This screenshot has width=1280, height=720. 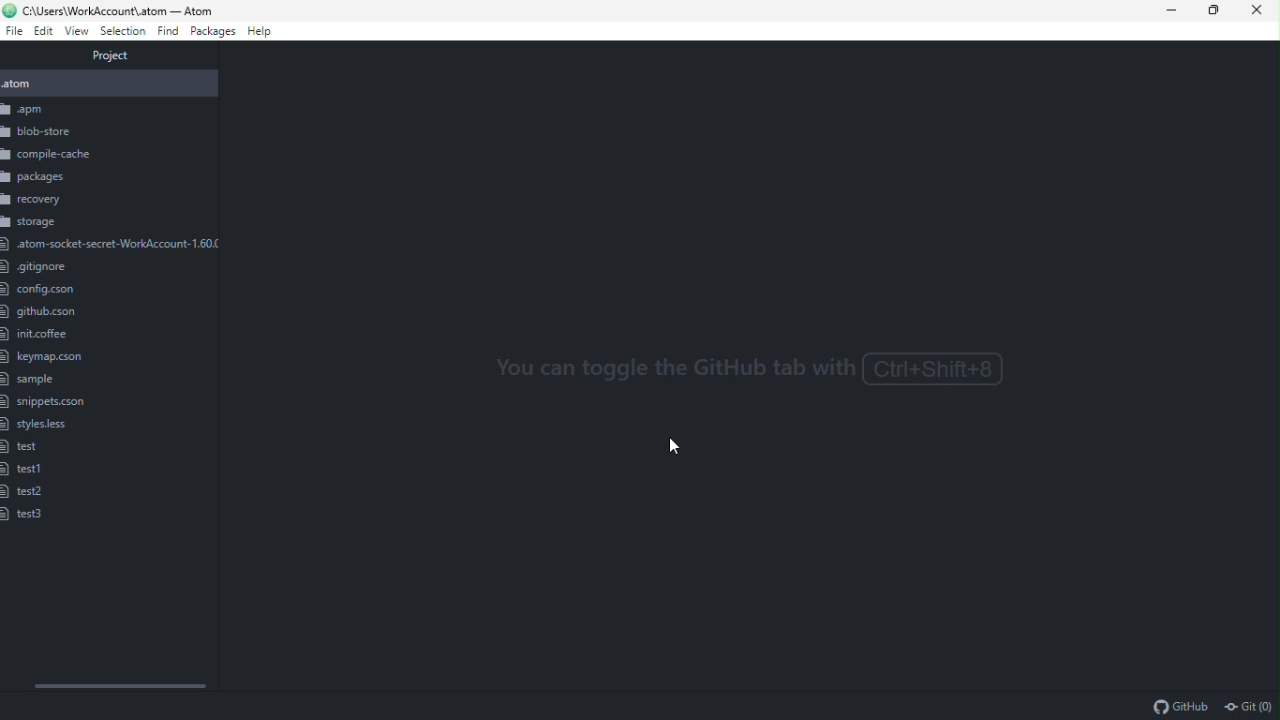 What do you see at coordinates (105, 110) in the screenshot?
I see `.amp` at bounding box center [105, 110].